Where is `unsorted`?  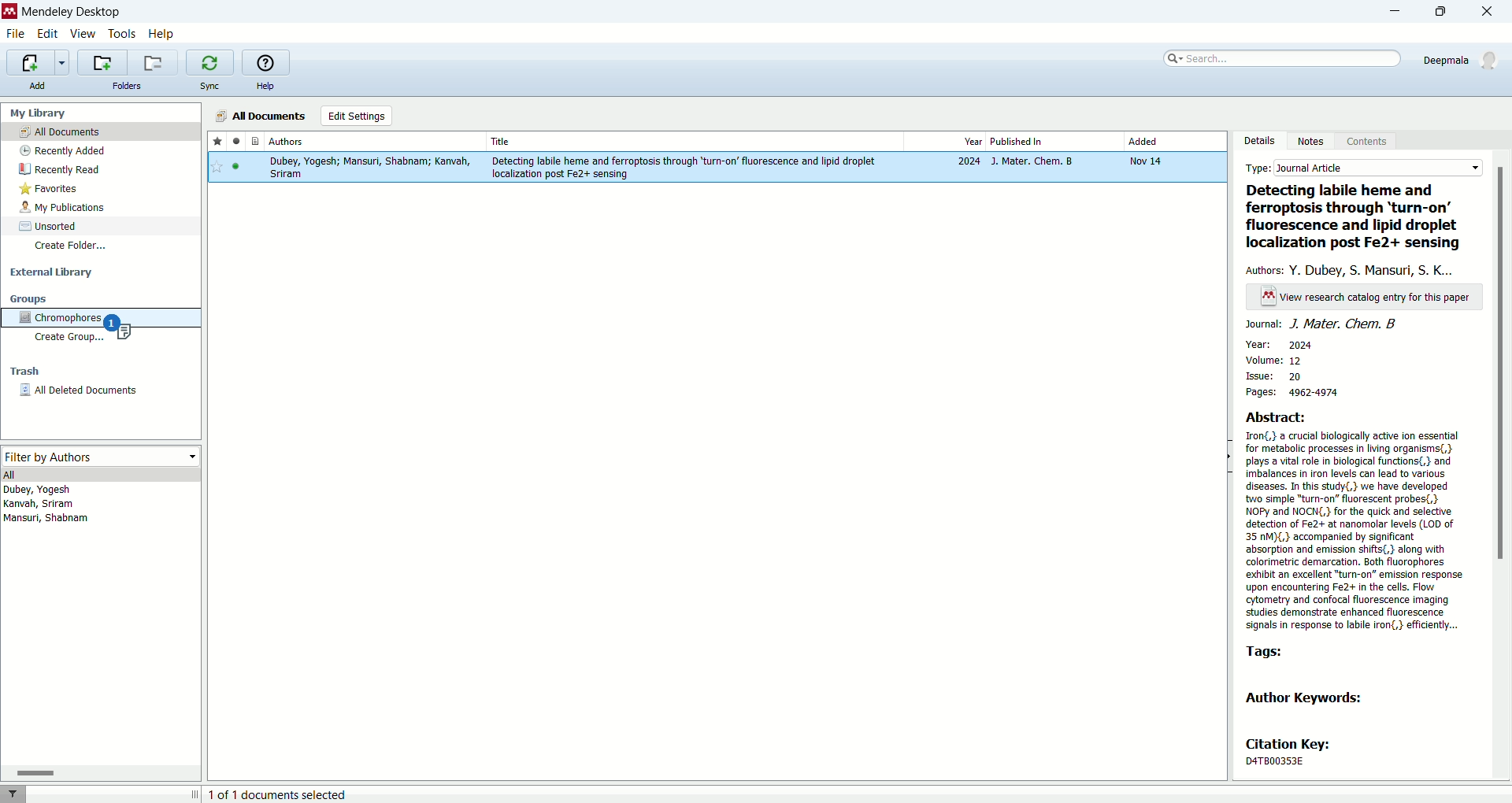
unsorted is located at coordinates (48, 226).